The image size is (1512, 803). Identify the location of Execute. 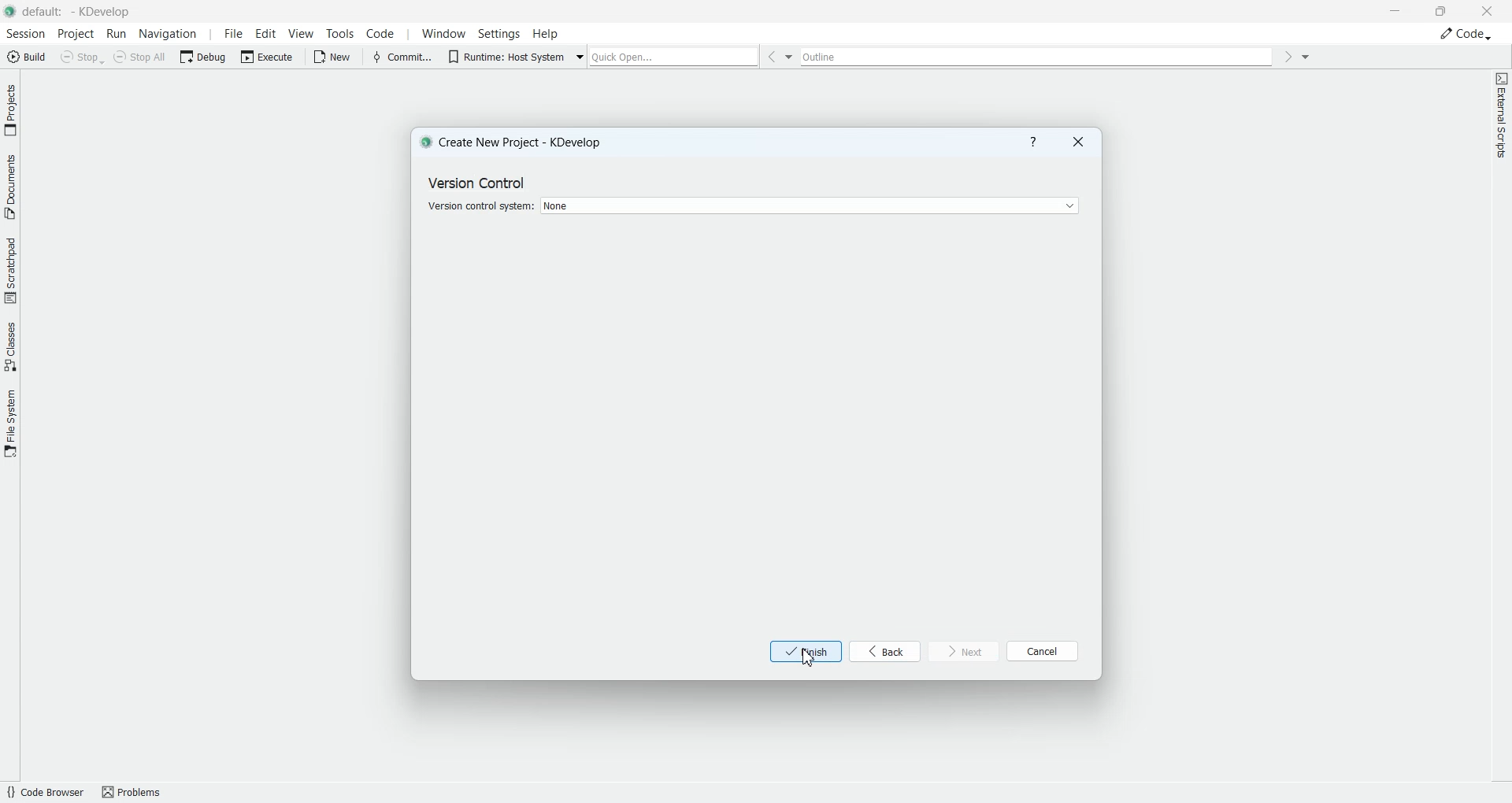
(269, 56).